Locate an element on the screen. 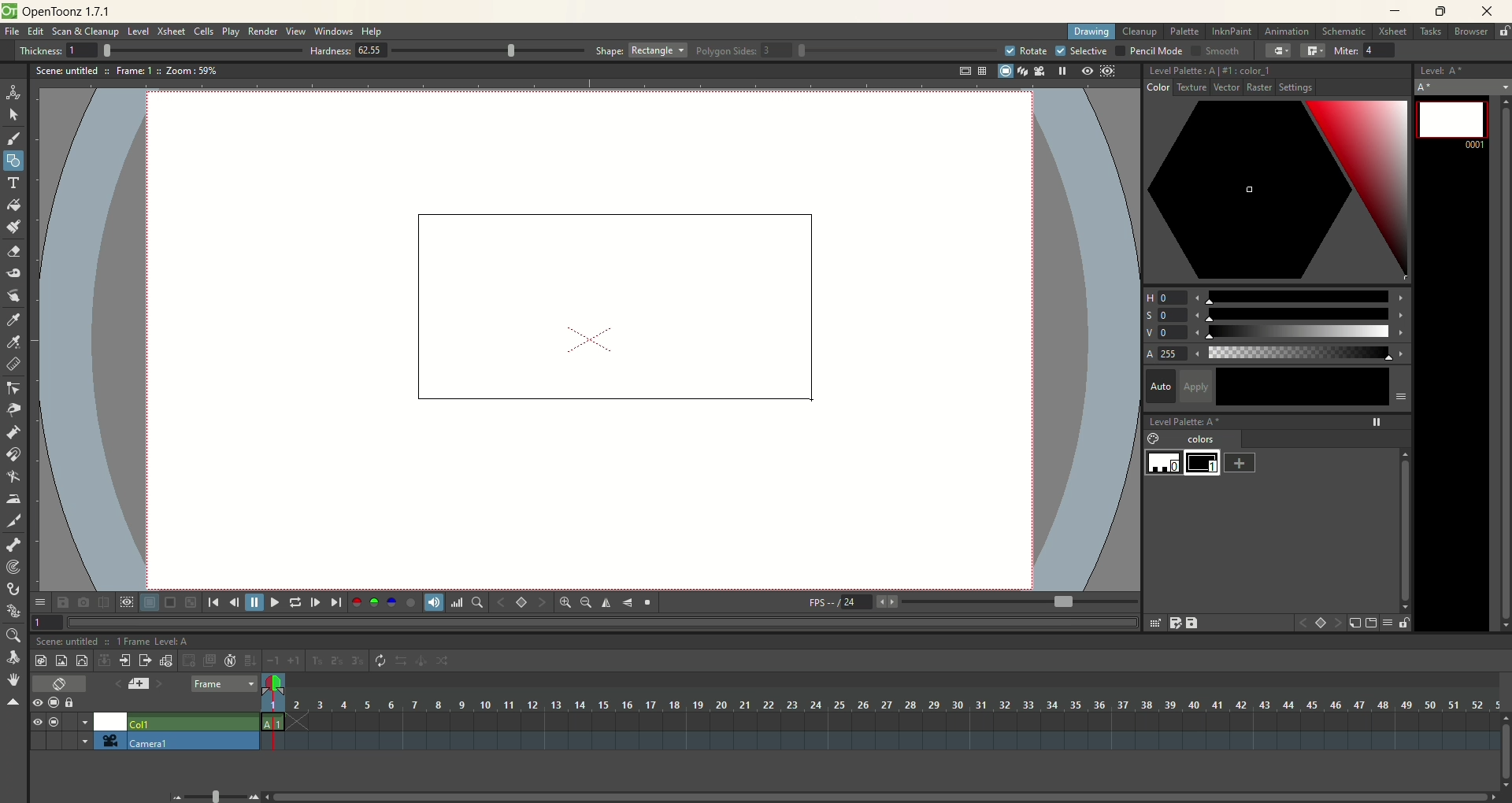  play is located at coordinates (231, 31).